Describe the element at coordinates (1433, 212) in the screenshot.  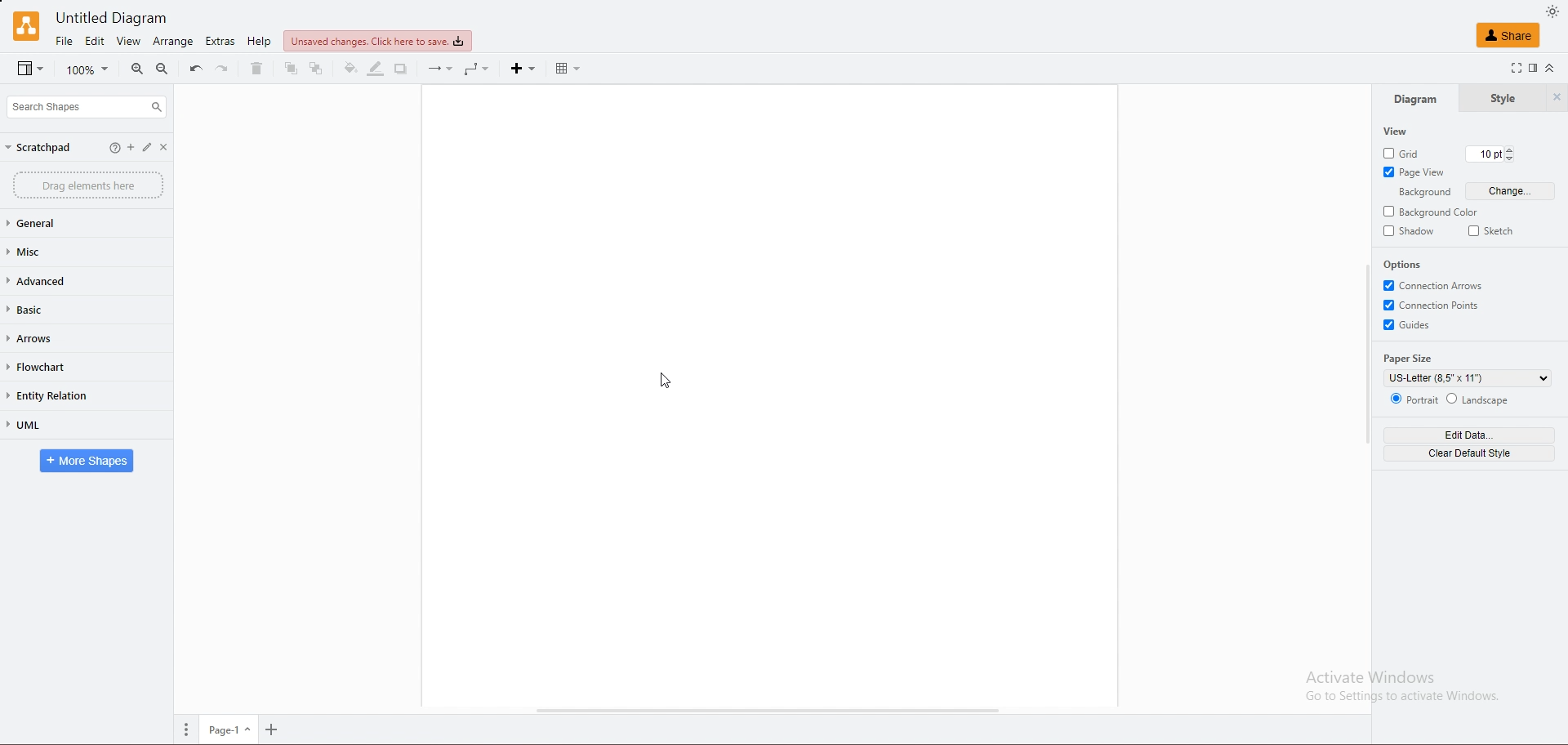
I see `background color` at that location.